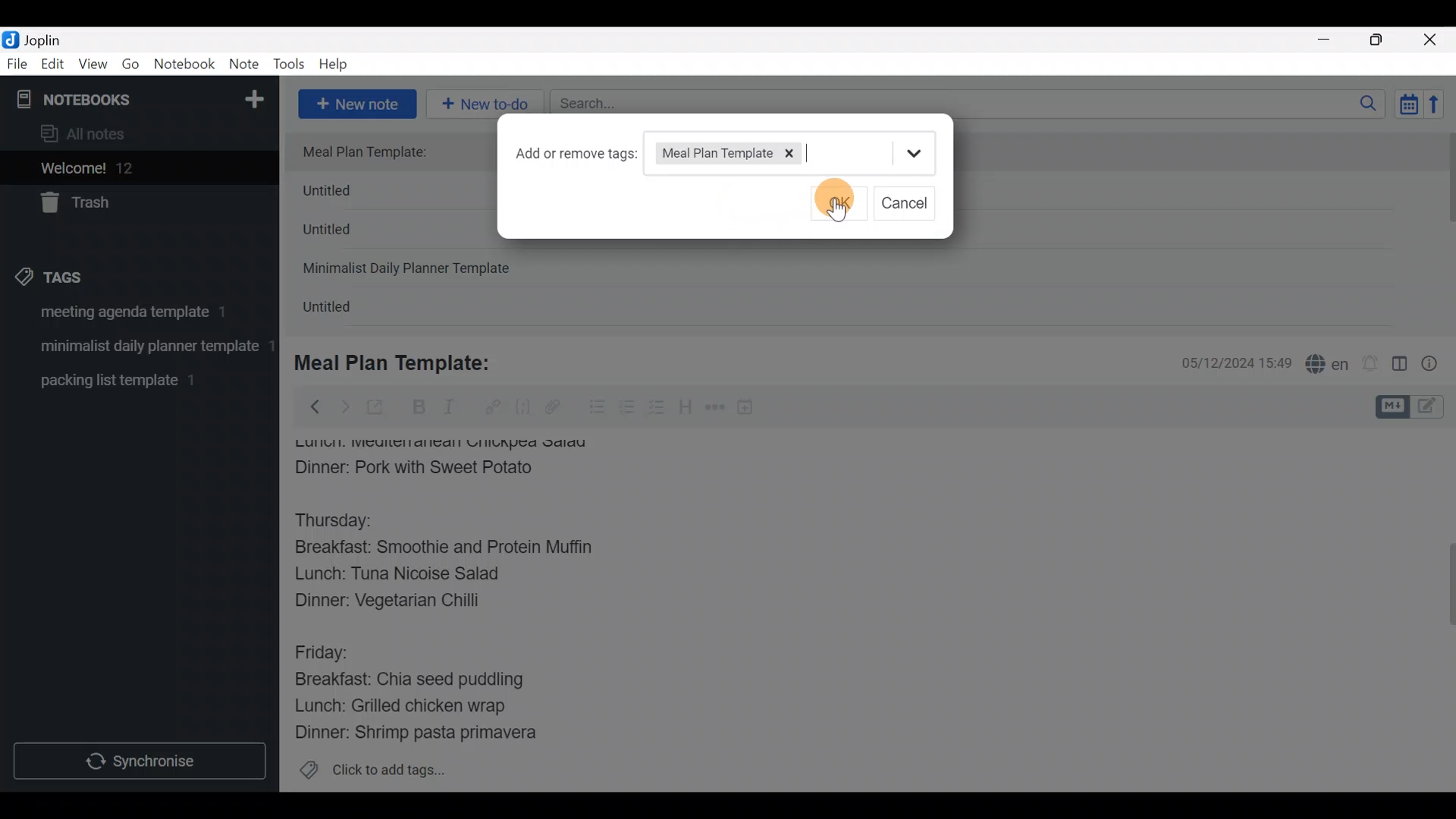 The height and width of the screenshot is (819, 1456). Describe the element at coordinates (1440, 610) in the screenshot. I see `Scroll bar` at that location.